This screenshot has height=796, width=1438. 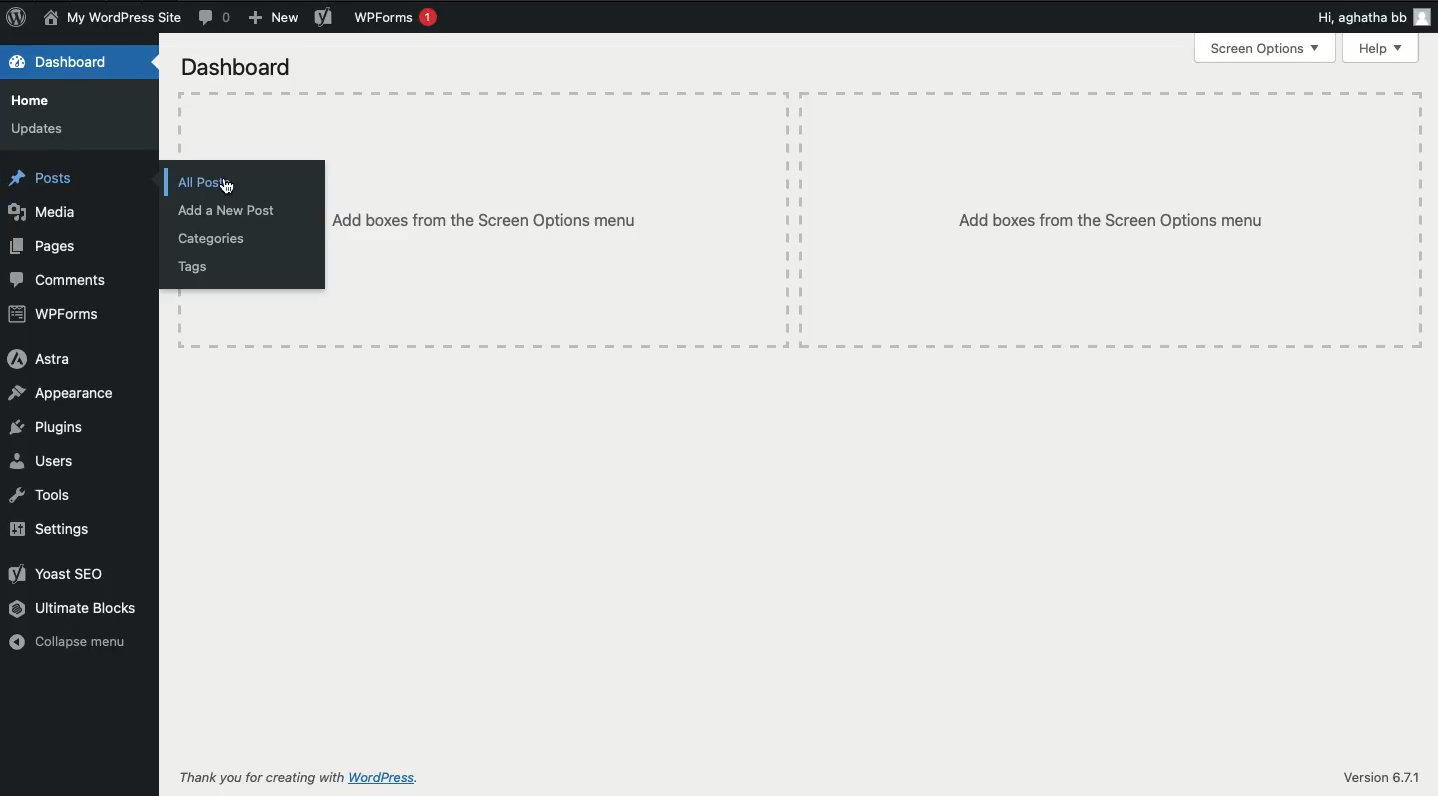 I want to click on Comments, so click(x=59, y=282).